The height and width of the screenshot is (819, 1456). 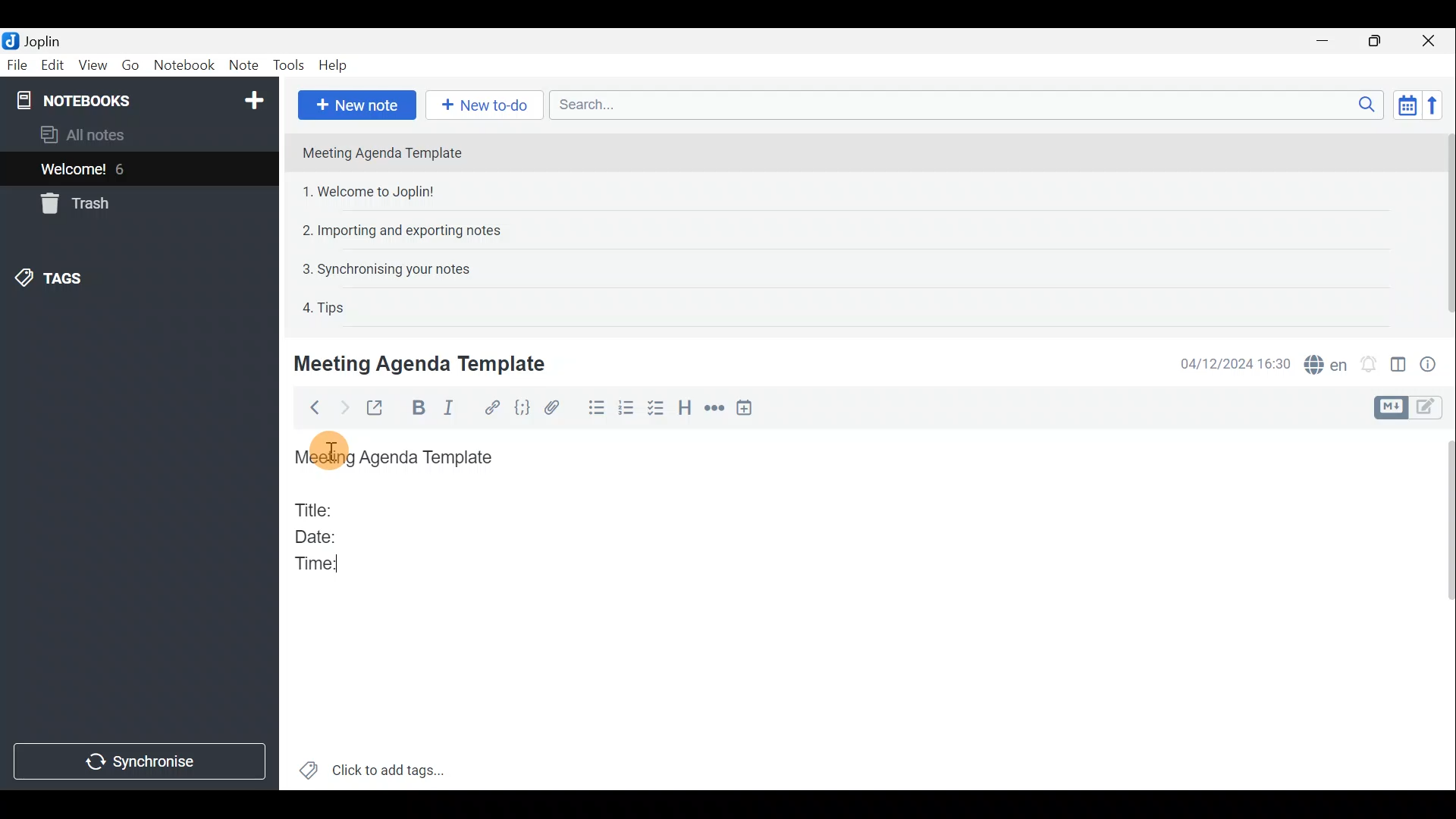 What do you see at coordinates (139, 761) in the screenshot?
I see `Synchronise` at bounding box center [139, 761].